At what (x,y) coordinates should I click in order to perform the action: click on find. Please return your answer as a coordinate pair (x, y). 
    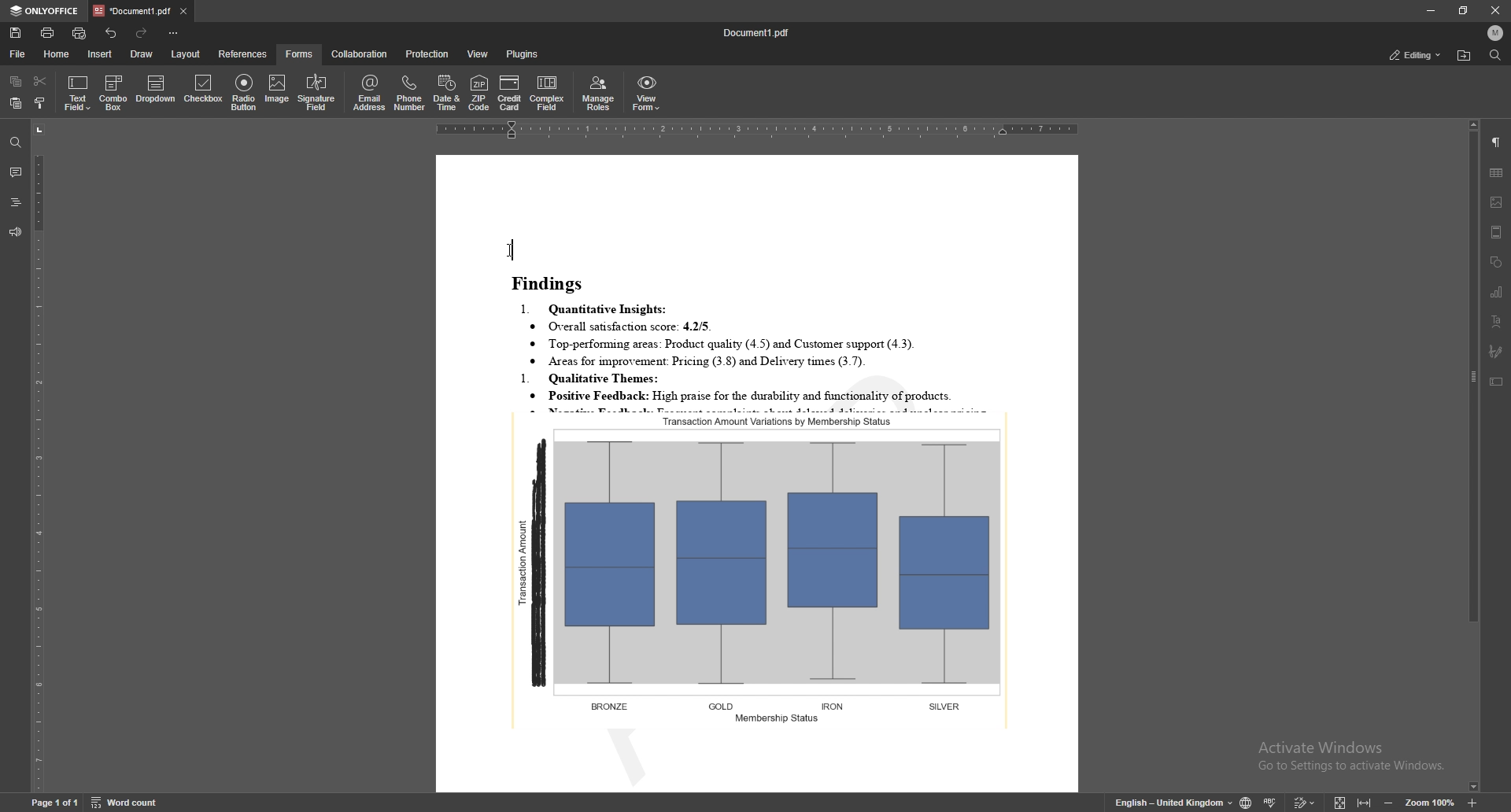
    Looking at the image, I should click on (1496, 56).